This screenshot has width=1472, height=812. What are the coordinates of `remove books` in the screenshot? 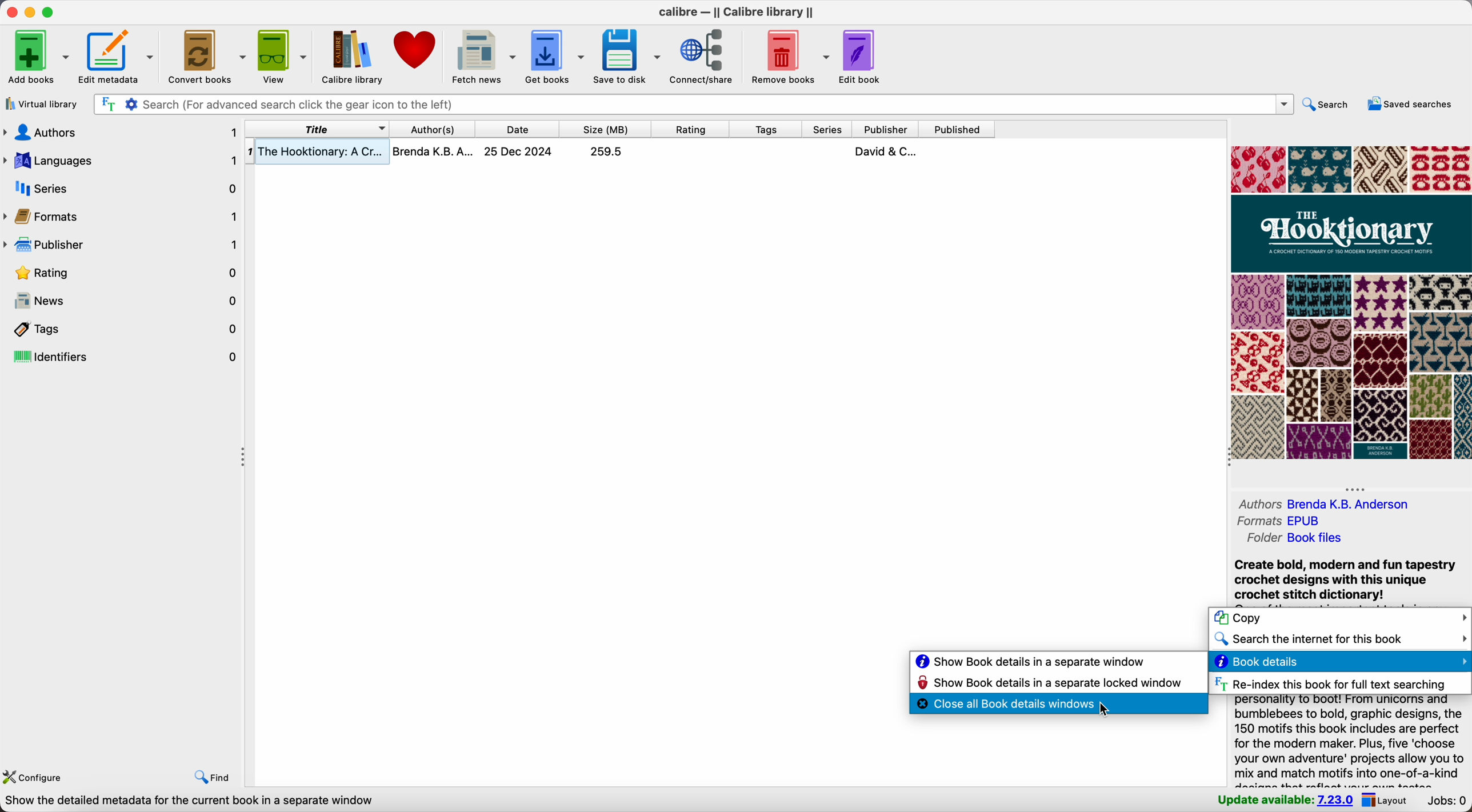 It's located at (787, 58).